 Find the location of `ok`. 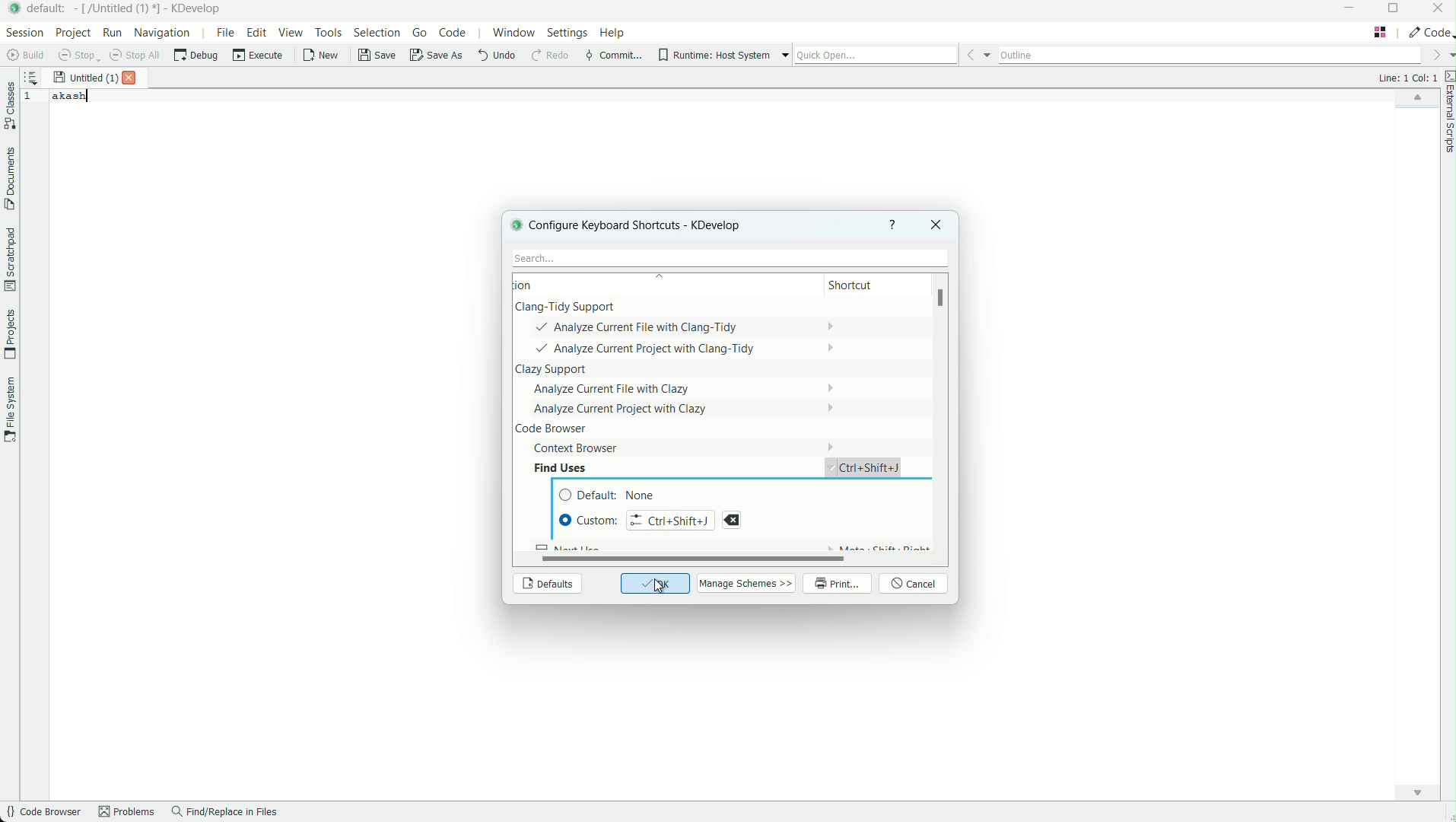

ok is located at coordinates (656, 584).